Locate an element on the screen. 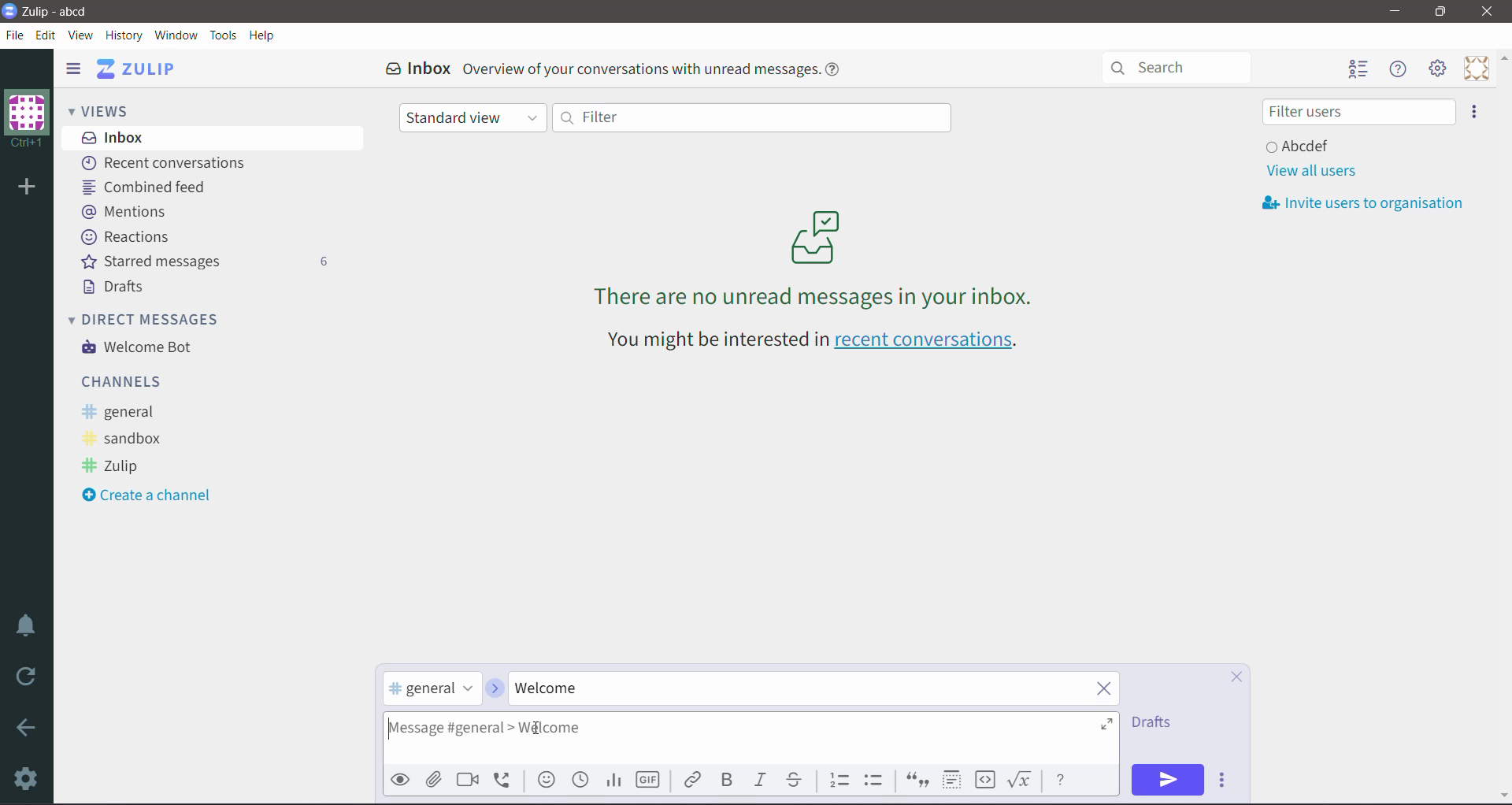 This screenshot has width=1512, height=805. Filter is located at coordinates (750, 117).